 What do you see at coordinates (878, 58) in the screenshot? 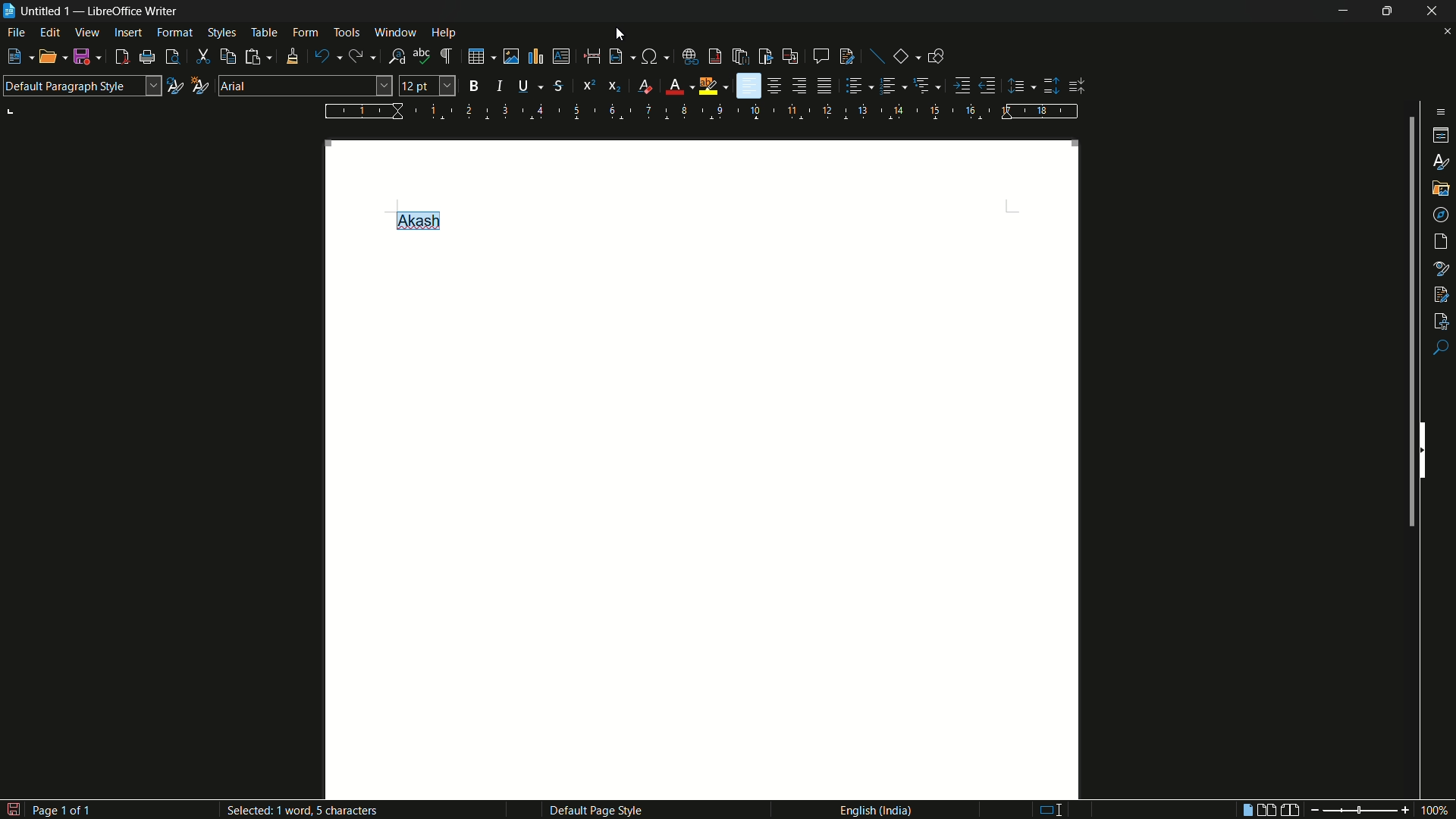
I see `insert line` at bounding box center [878, 58].